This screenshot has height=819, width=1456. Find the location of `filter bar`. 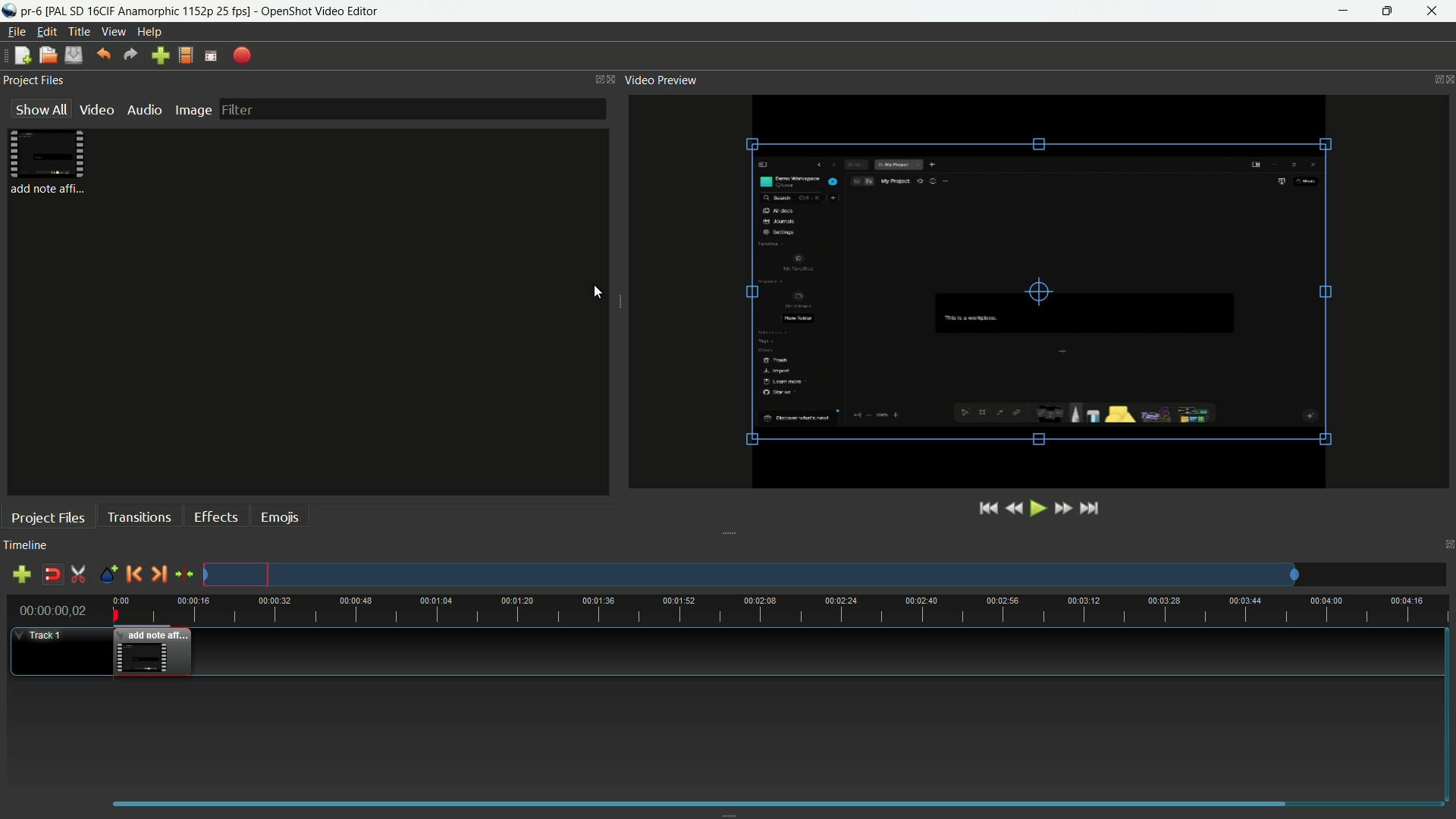

filter bar is located at coordinates (414, 109).